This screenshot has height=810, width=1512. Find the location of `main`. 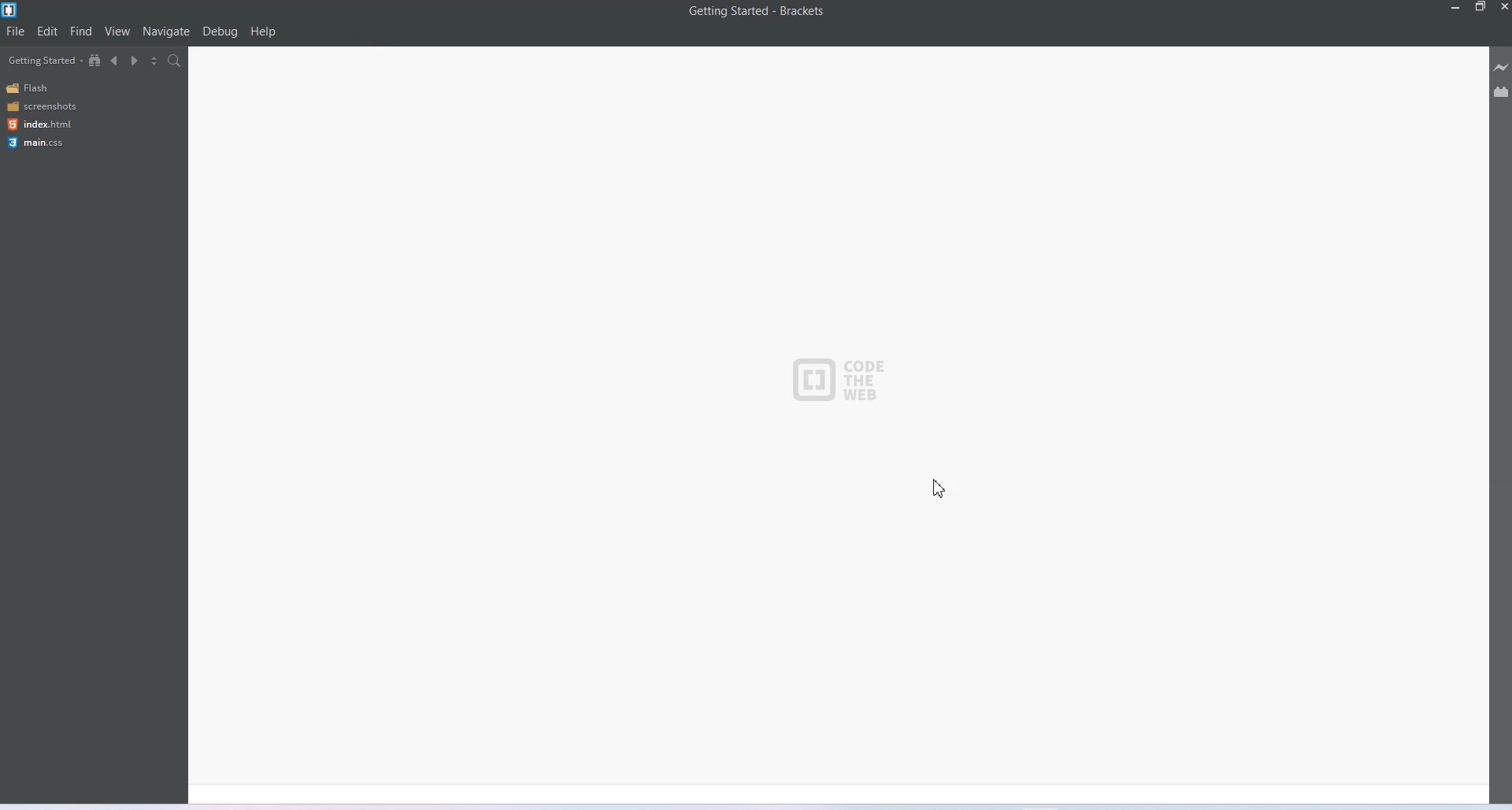

main is located at coordinates (39, 143).